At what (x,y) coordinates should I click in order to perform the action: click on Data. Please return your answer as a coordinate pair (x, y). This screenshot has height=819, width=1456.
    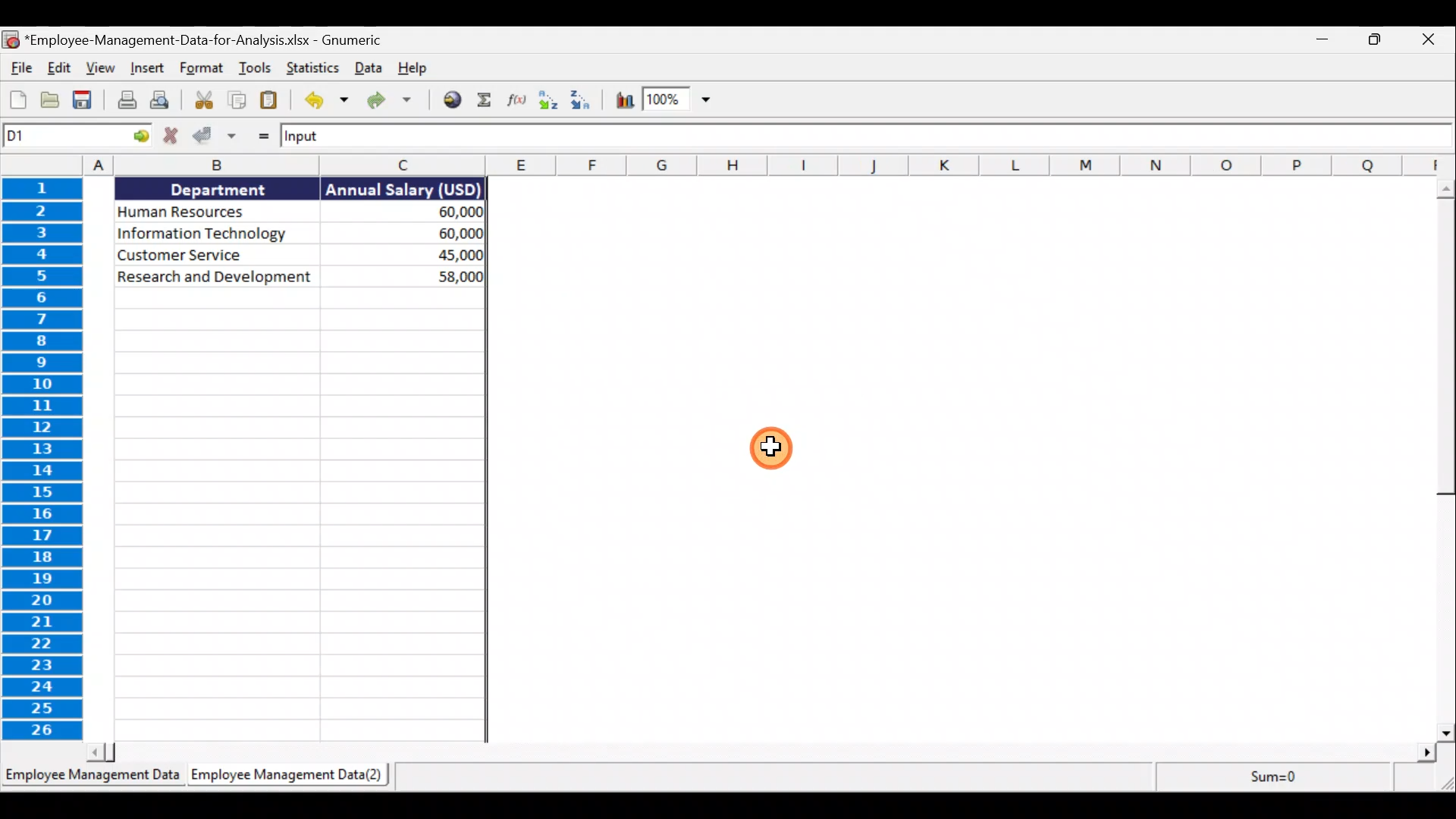
    Looking at the image, I should click on (368, 66).